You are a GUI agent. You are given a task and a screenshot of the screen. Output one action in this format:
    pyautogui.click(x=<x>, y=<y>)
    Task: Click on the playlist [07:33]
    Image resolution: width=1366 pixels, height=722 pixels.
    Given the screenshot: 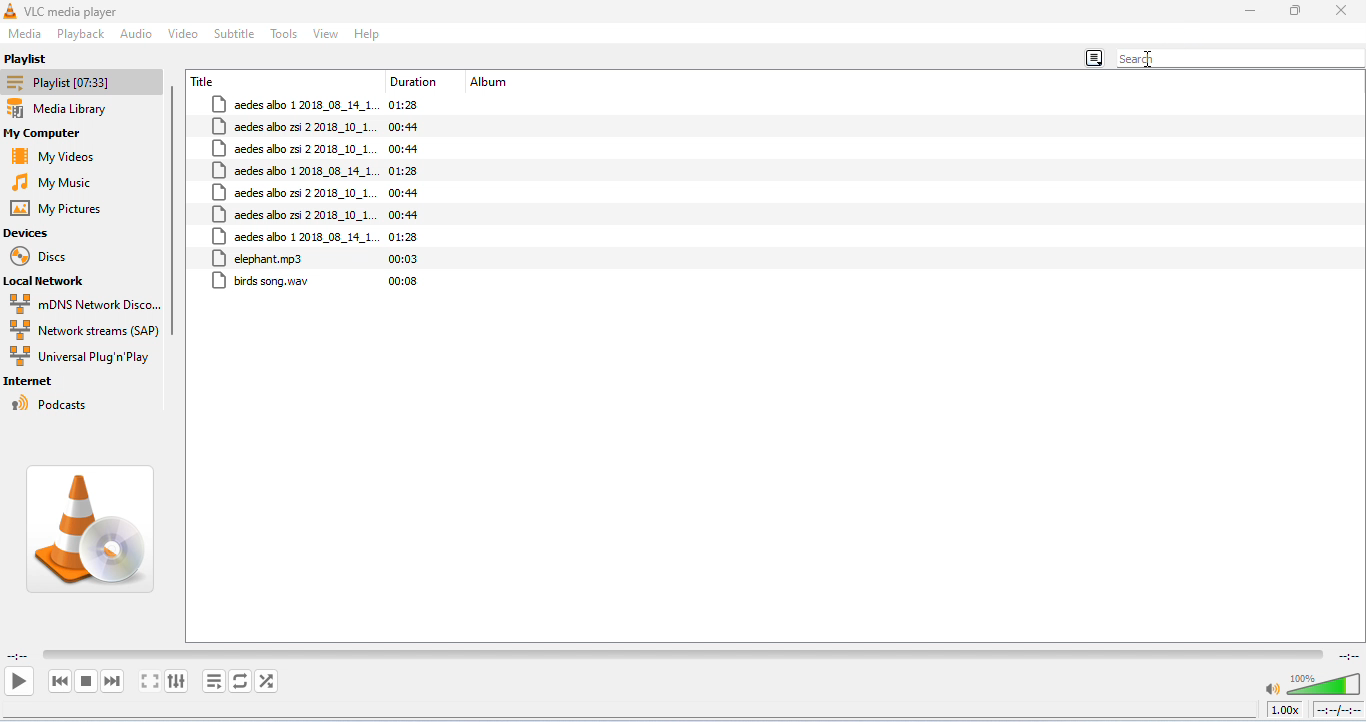 What is the action you would take?
    pyautogui.click(x=83, y=82)
    